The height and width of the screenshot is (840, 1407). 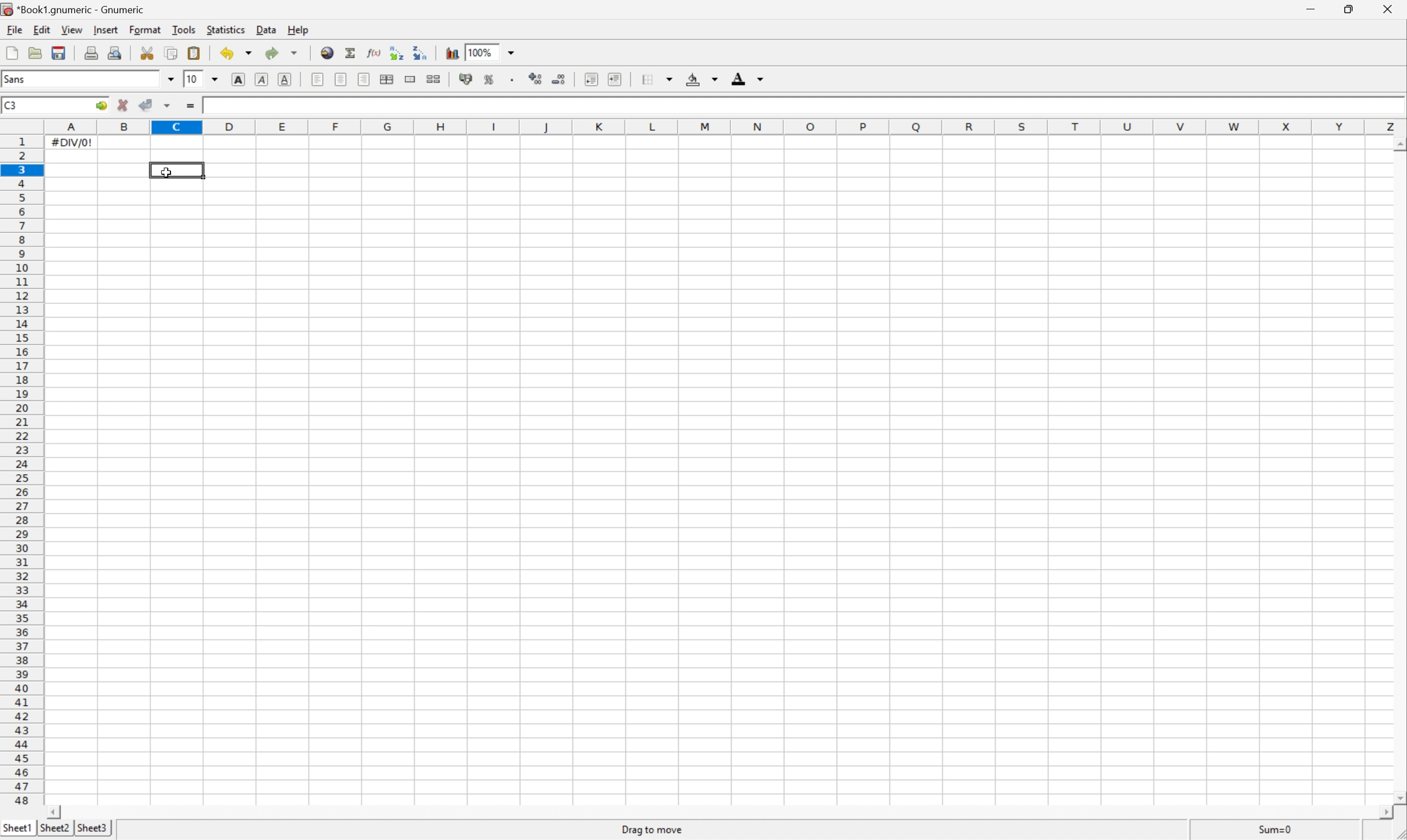 What do you see at coordinates (435, 79) in the screenshot?
I see `split merged ranges of cells` at bounding box center [435, 79].